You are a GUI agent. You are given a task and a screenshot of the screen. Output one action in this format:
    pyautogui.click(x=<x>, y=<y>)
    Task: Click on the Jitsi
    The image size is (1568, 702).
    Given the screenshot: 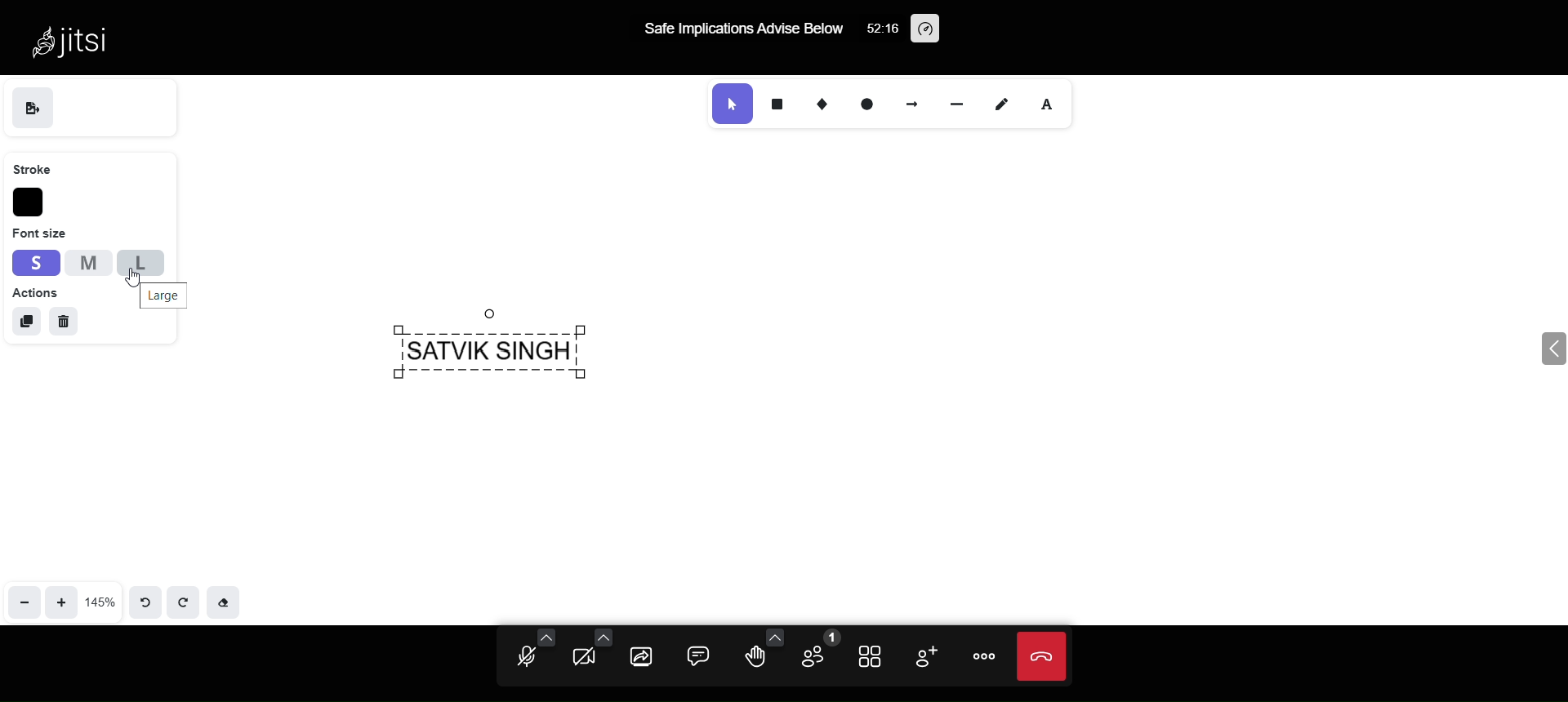 What is the action you would take?
    pyautogui.click(x=79, y=40)
    